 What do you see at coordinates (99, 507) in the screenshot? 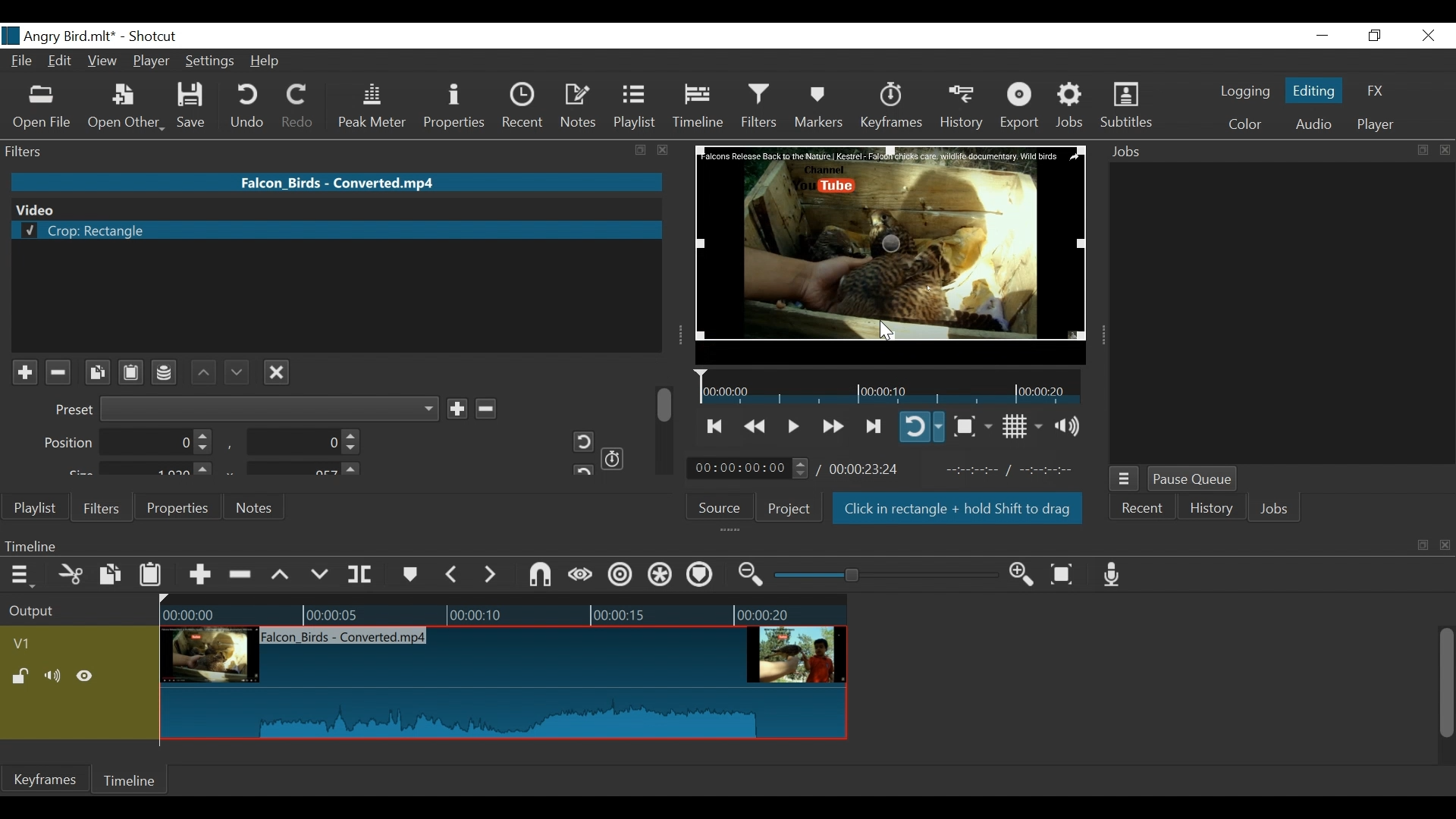
I see `Filters` at bounding box center [99, 507].